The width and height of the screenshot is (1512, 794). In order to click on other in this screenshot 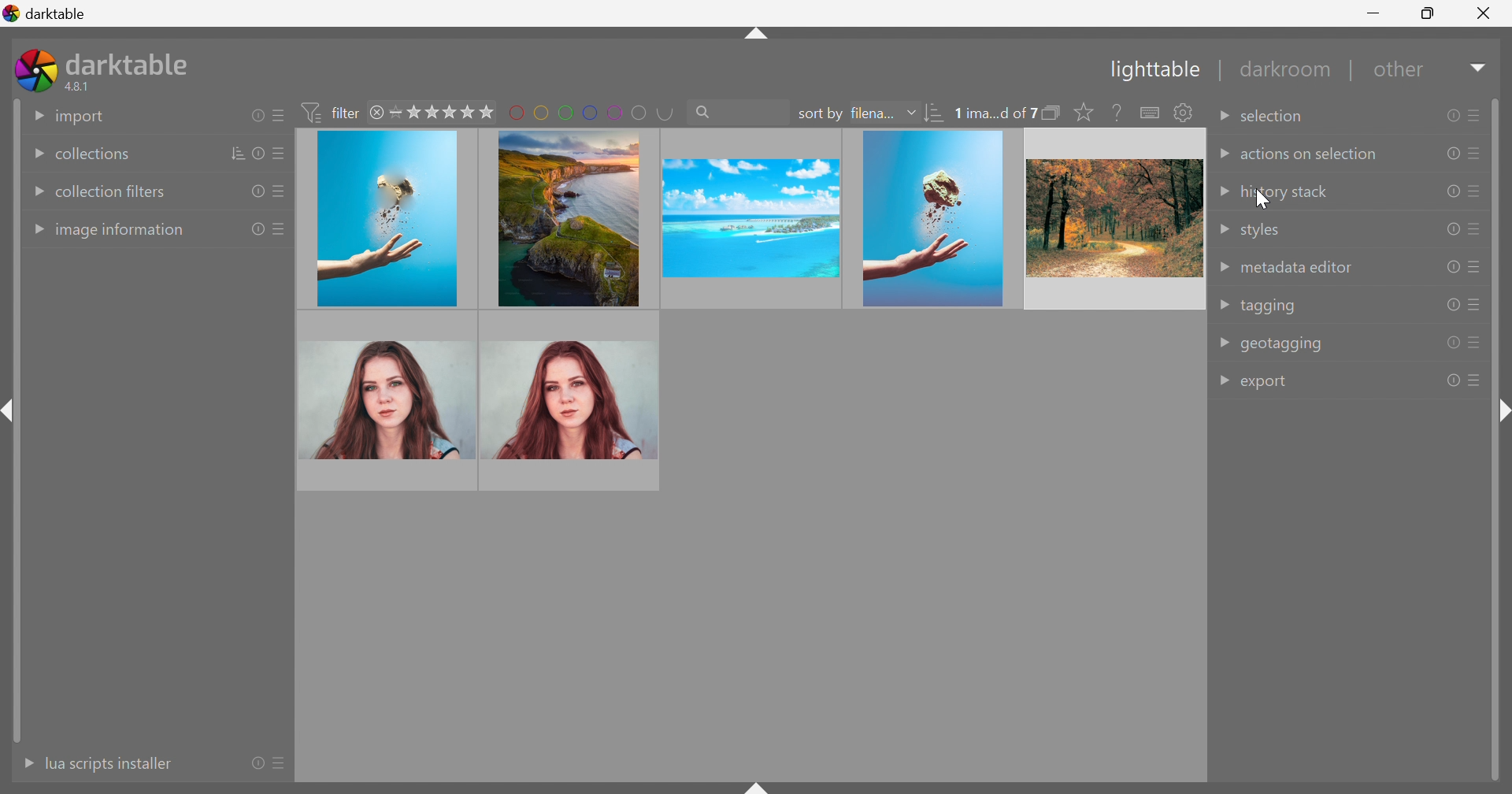, I will do `click(1402, 74)`.